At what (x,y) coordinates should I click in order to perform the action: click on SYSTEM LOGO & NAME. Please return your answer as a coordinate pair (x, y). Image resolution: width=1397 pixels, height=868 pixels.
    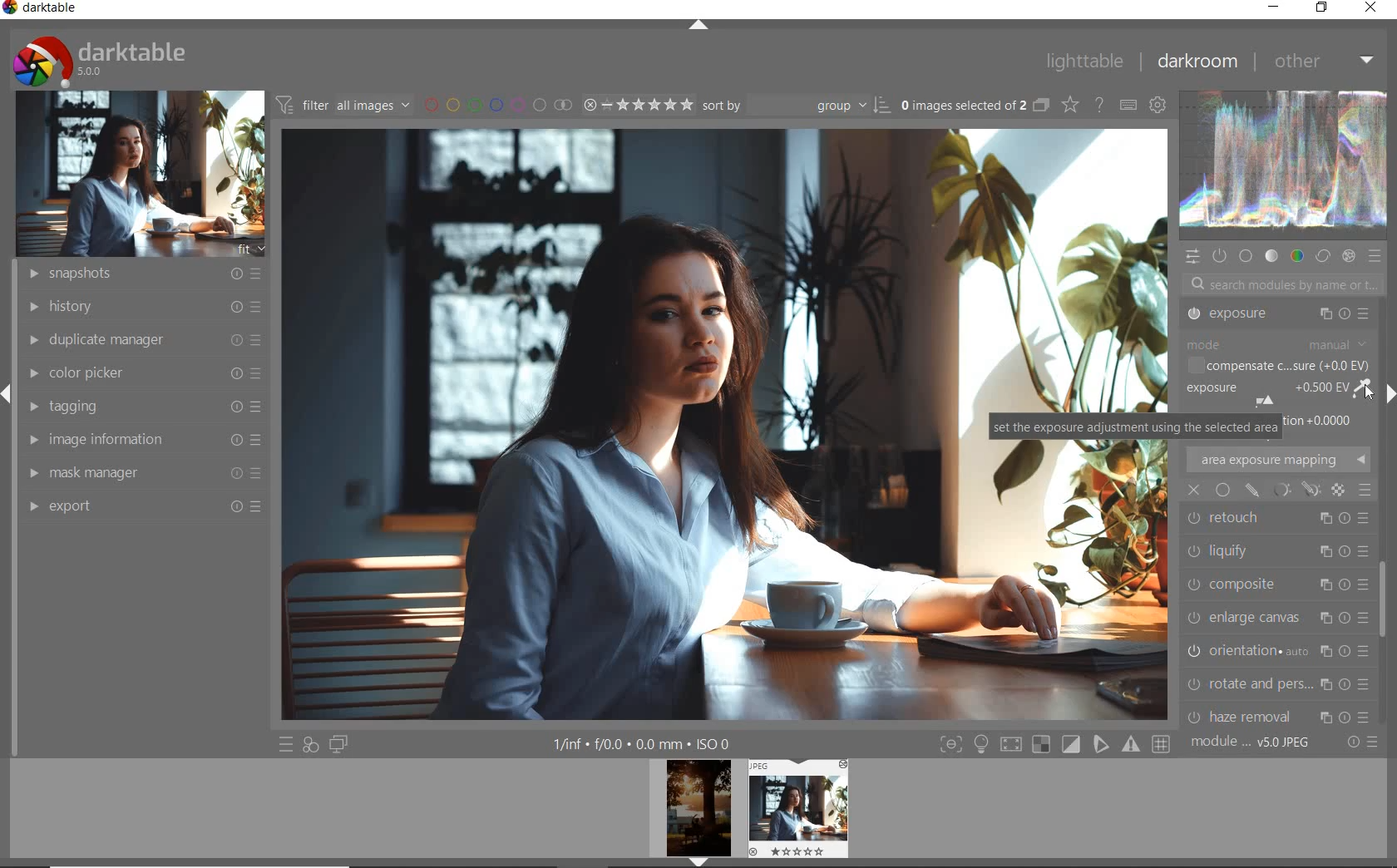
    Looking at the image, I should click on (98, 59).